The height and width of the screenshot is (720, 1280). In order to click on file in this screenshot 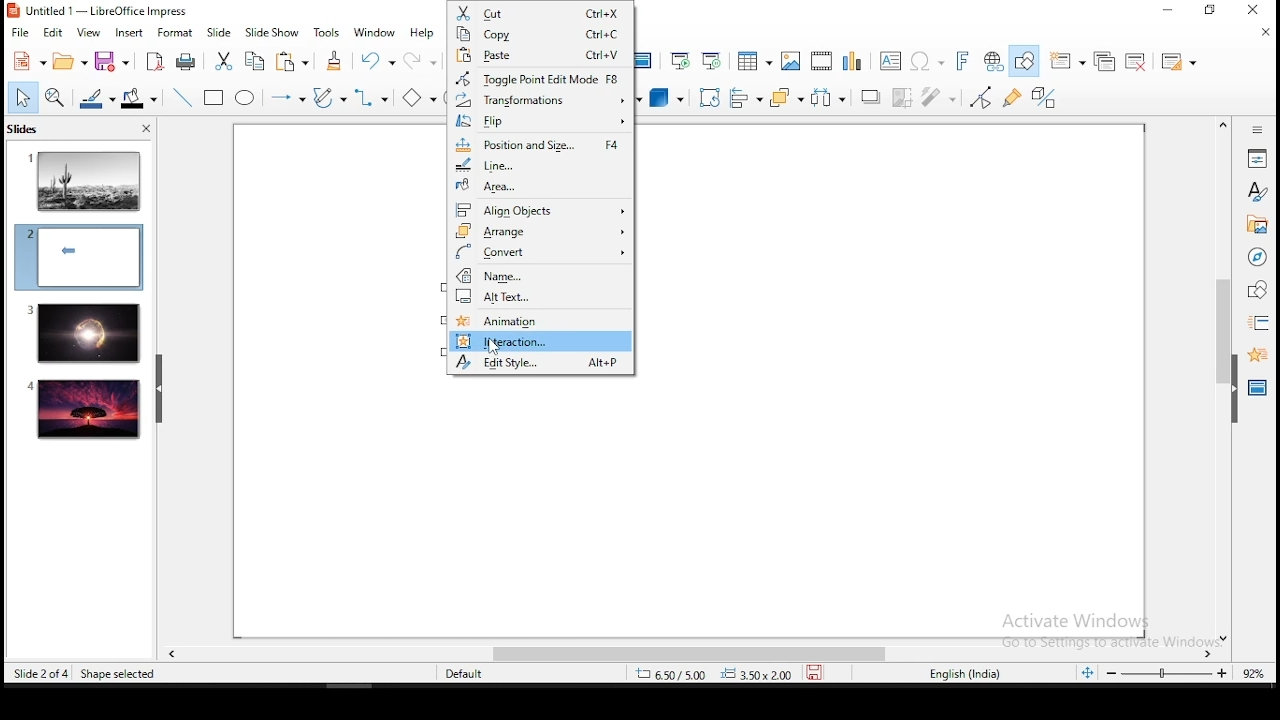, I will do `click(19, 32)`.